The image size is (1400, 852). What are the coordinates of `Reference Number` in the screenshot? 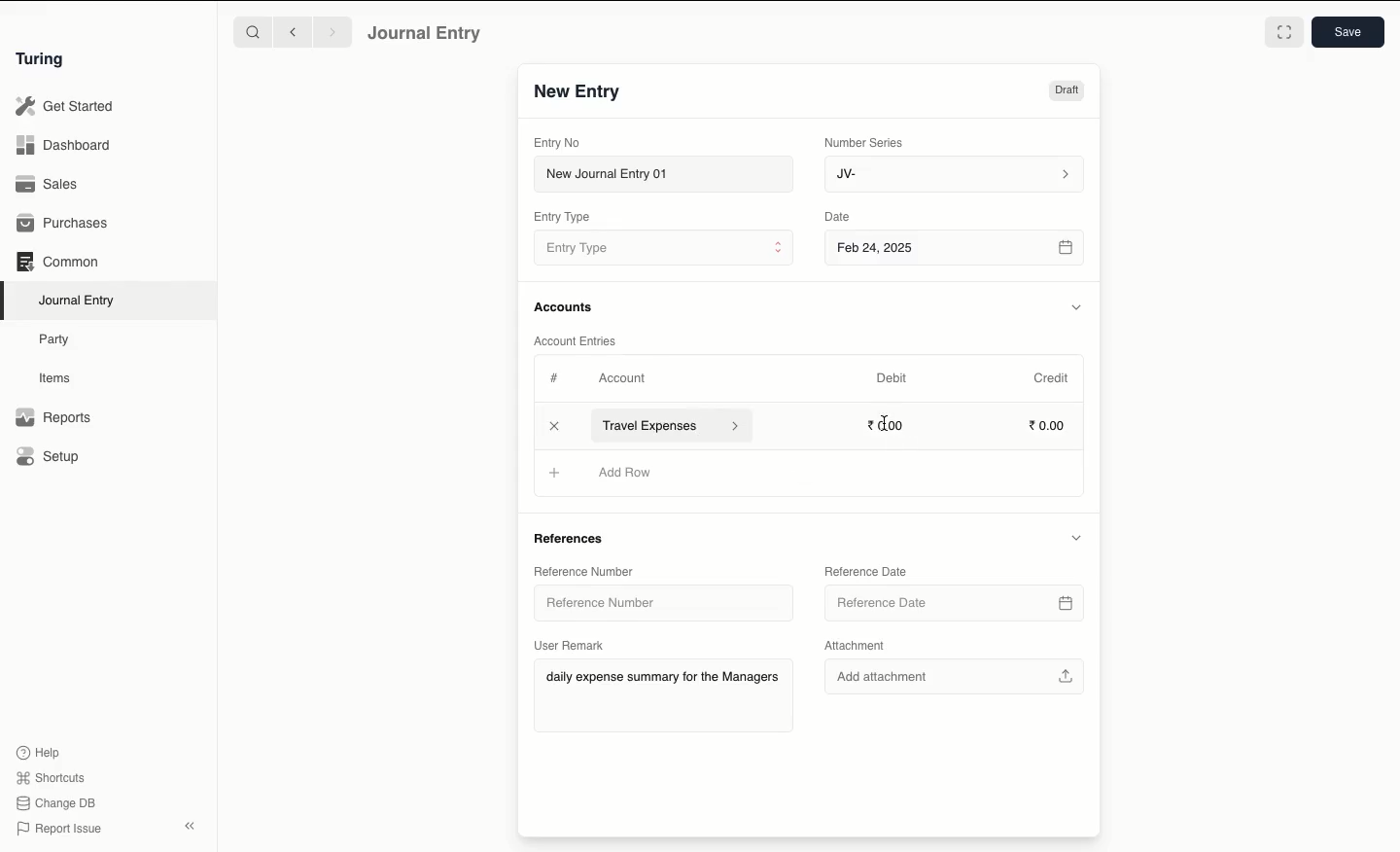 It's located at (656, 603).